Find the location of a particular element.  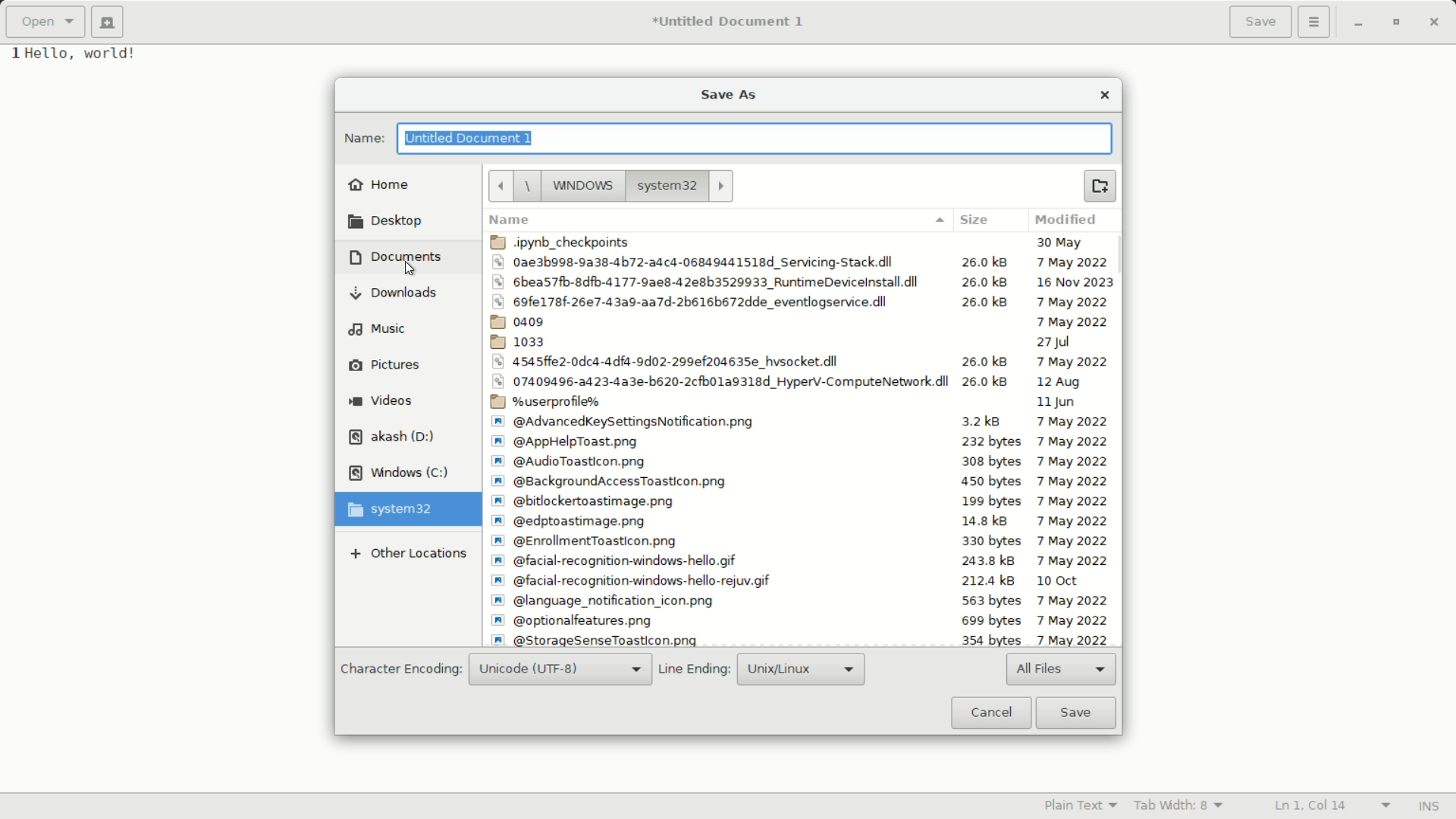

save as is located at coordinates (729, 97).